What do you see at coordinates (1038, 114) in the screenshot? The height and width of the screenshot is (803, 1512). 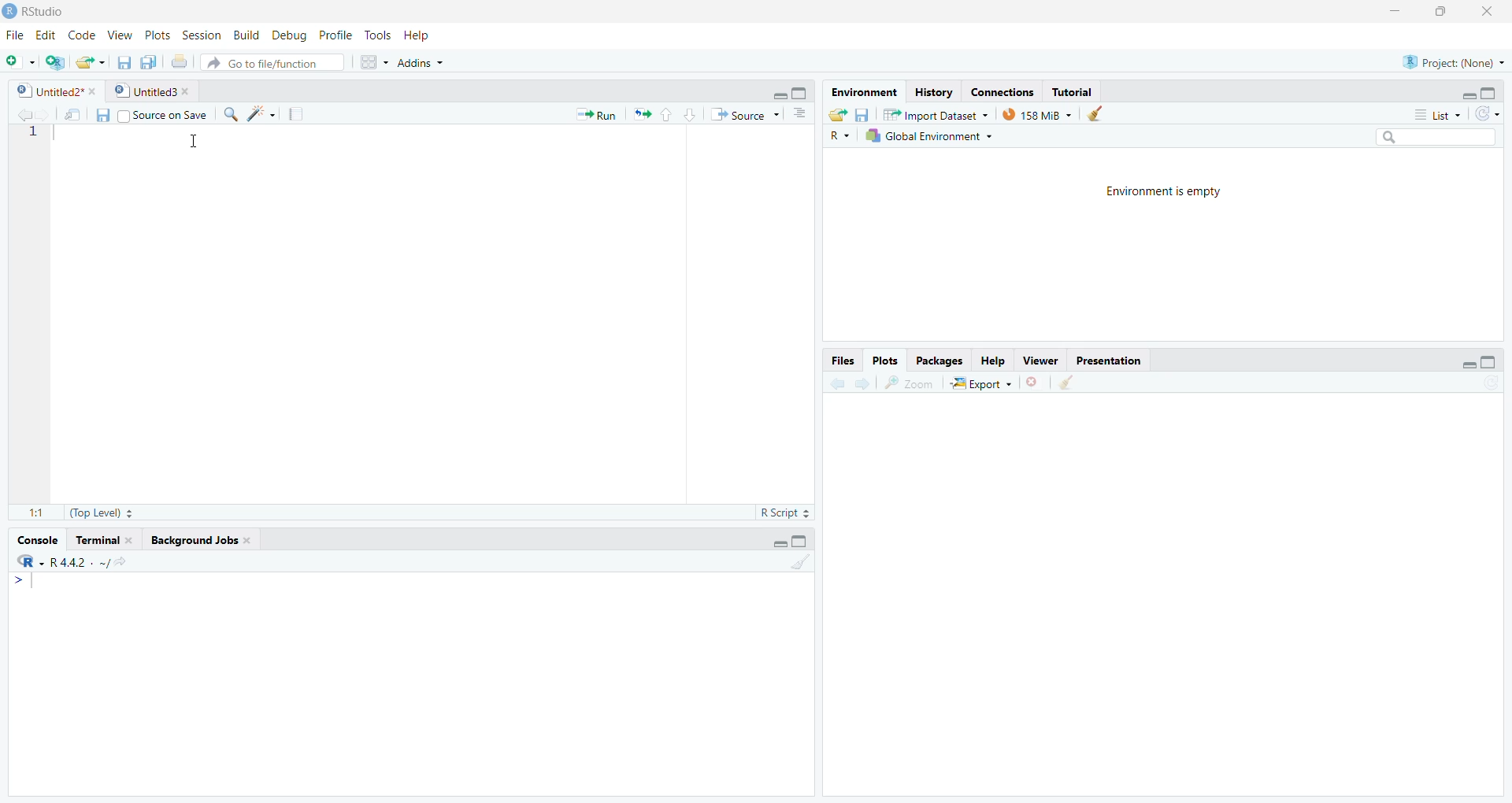 I see `» 158 MiB ` at bounding box center [1038, 114].